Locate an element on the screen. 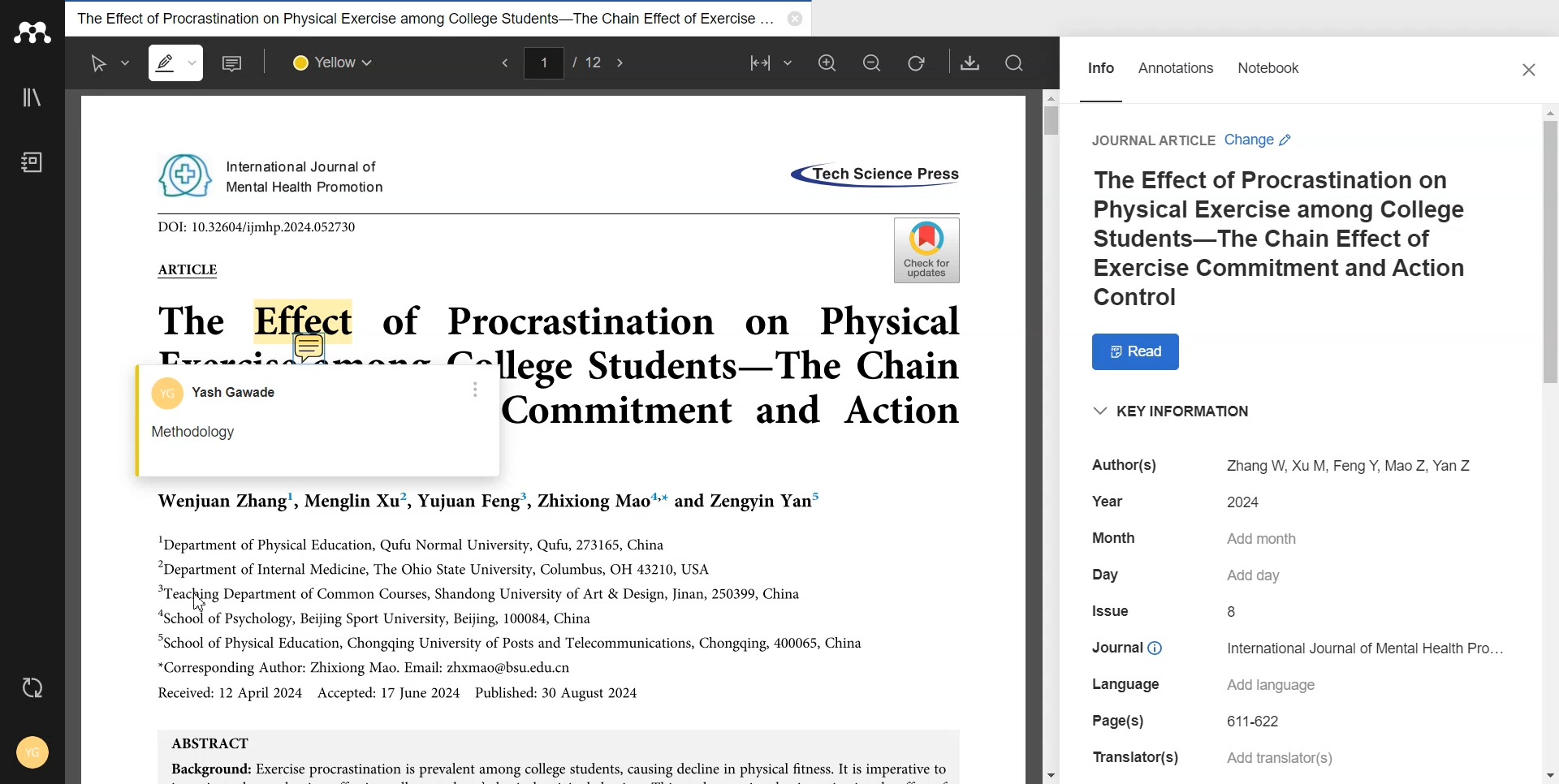  Issue 8 is located at coordinates (1168, 611).